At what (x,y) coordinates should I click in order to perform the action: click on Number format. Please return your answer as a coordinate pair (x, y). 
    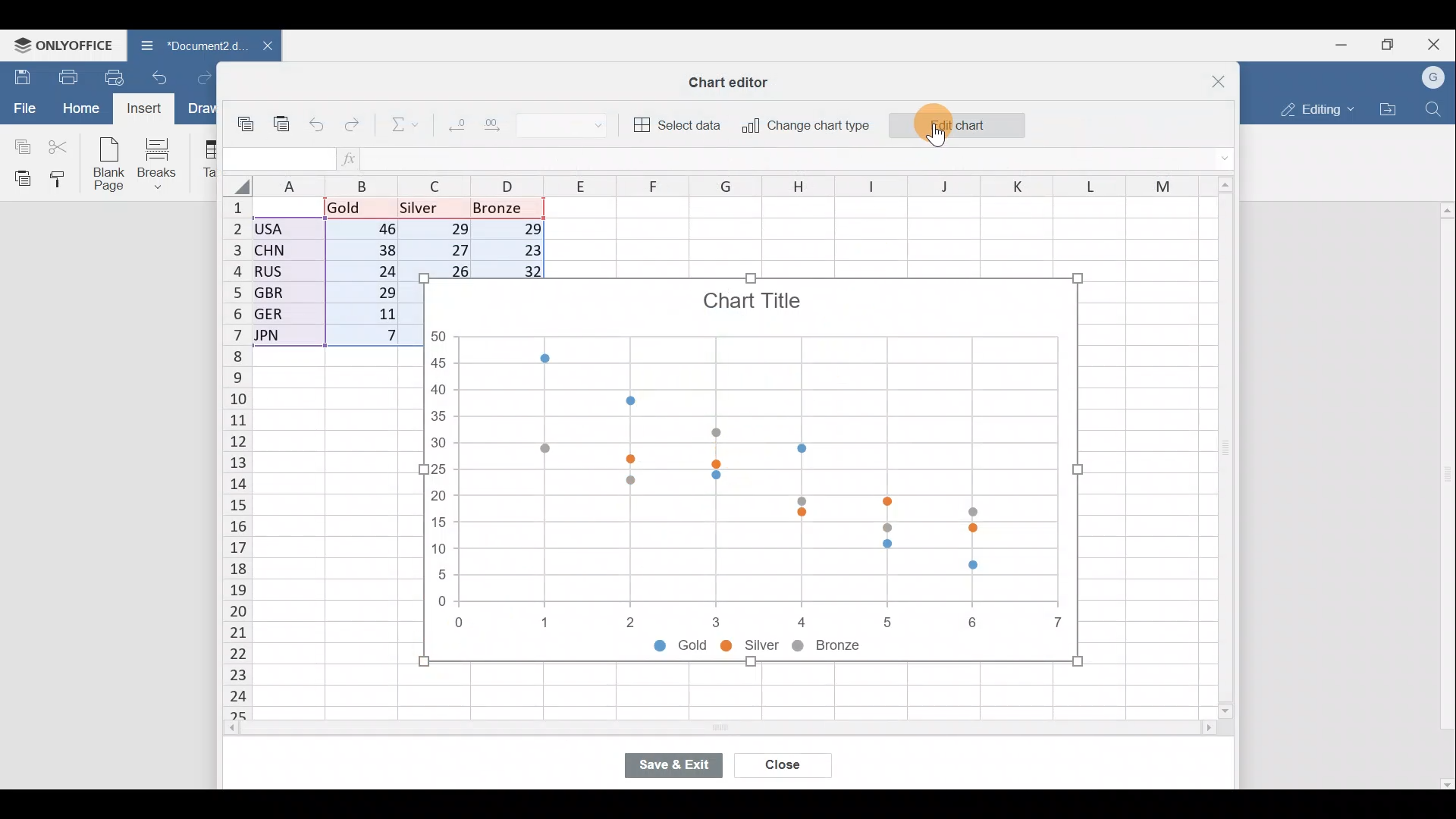
    Looking at the image, I should click on (575, 127).